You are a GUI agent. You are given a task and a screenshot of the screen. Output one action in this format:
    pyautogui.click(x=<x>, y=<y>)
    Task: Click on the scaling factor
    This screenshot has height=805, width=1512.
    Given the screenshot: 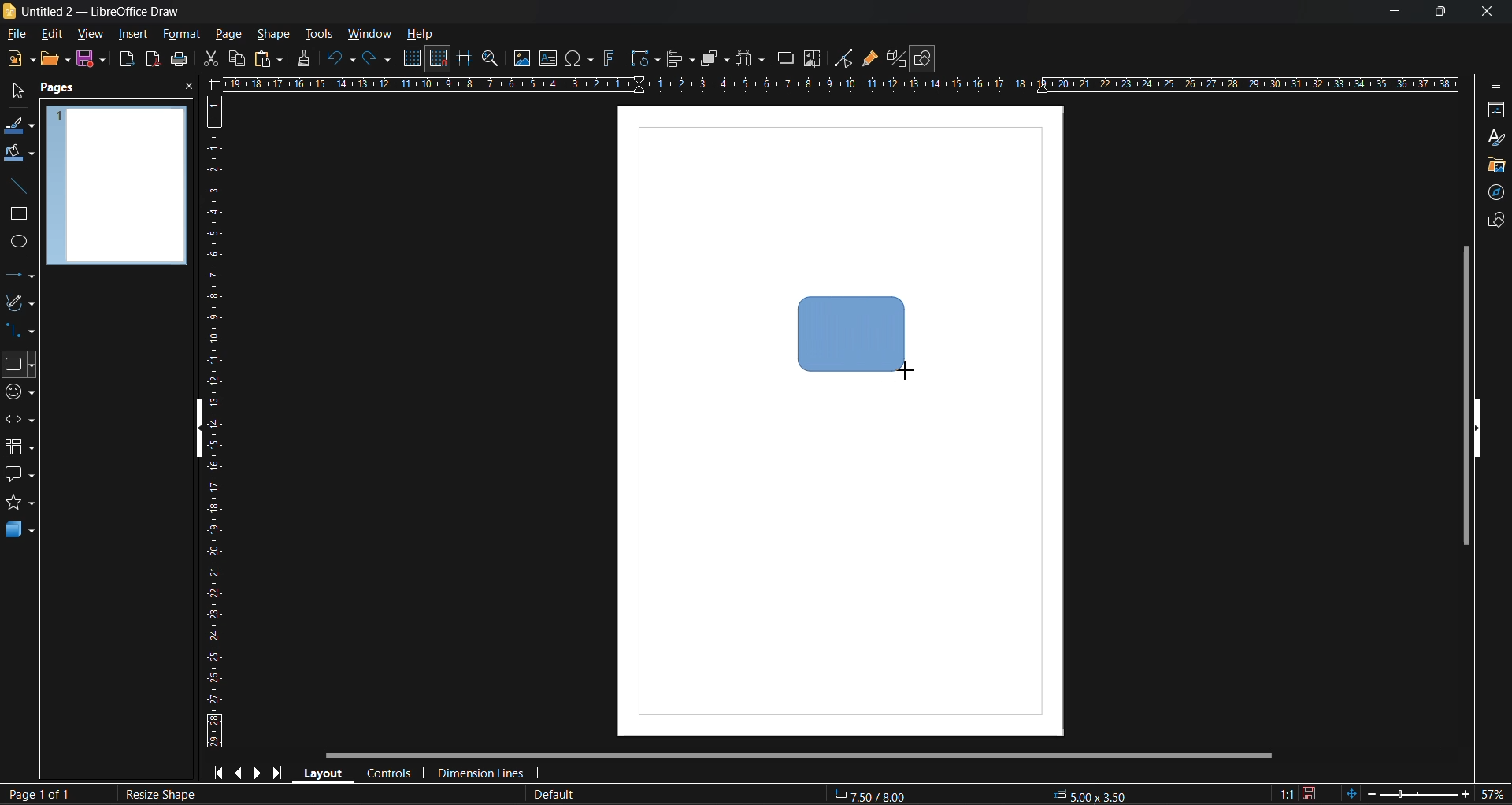 What is the action you would take?
    pyautogui.click(x=1288, y=795)
    